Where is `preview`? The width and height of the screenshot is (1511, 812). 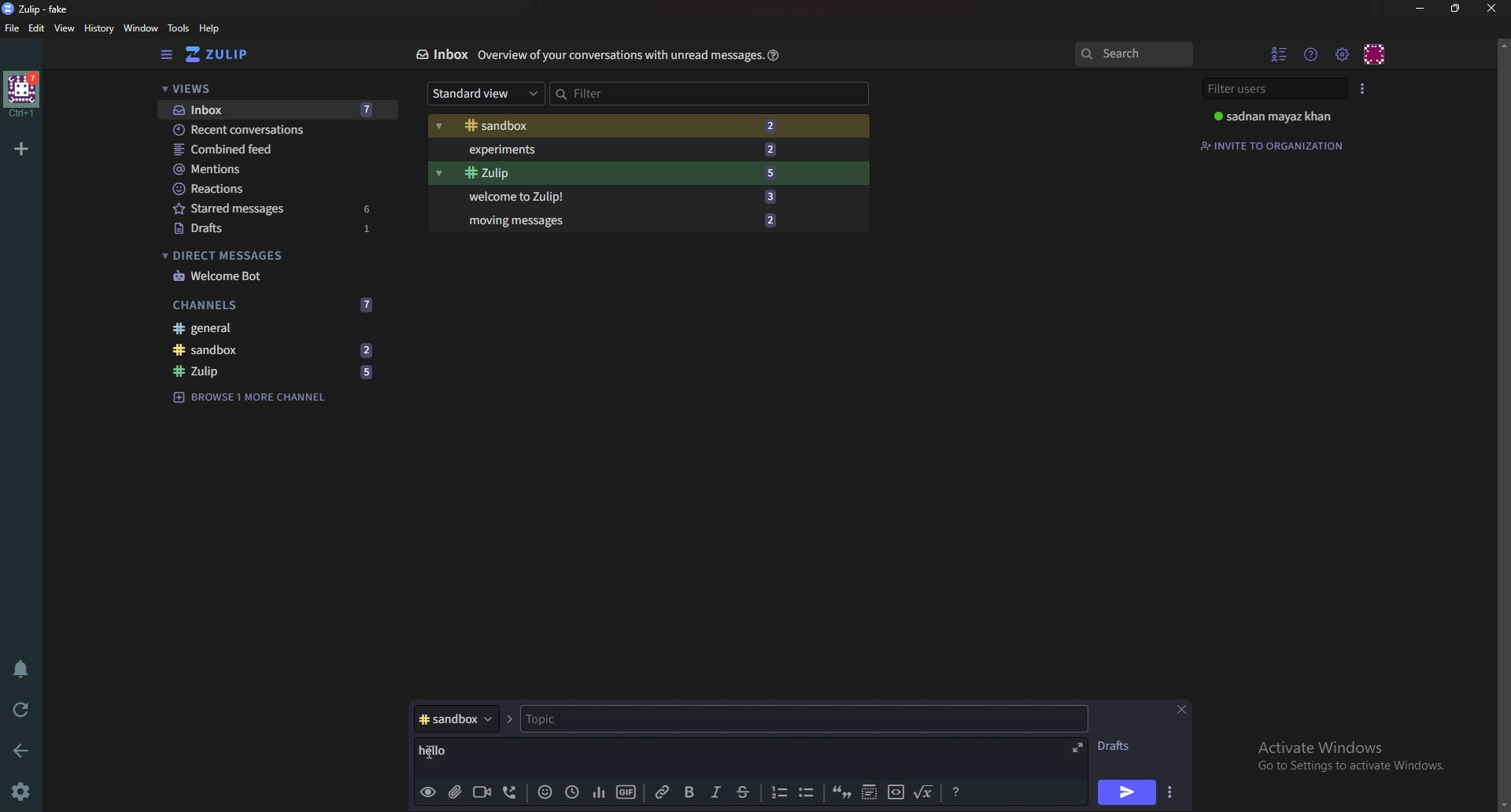
preview is located at coordinates (428, 794).